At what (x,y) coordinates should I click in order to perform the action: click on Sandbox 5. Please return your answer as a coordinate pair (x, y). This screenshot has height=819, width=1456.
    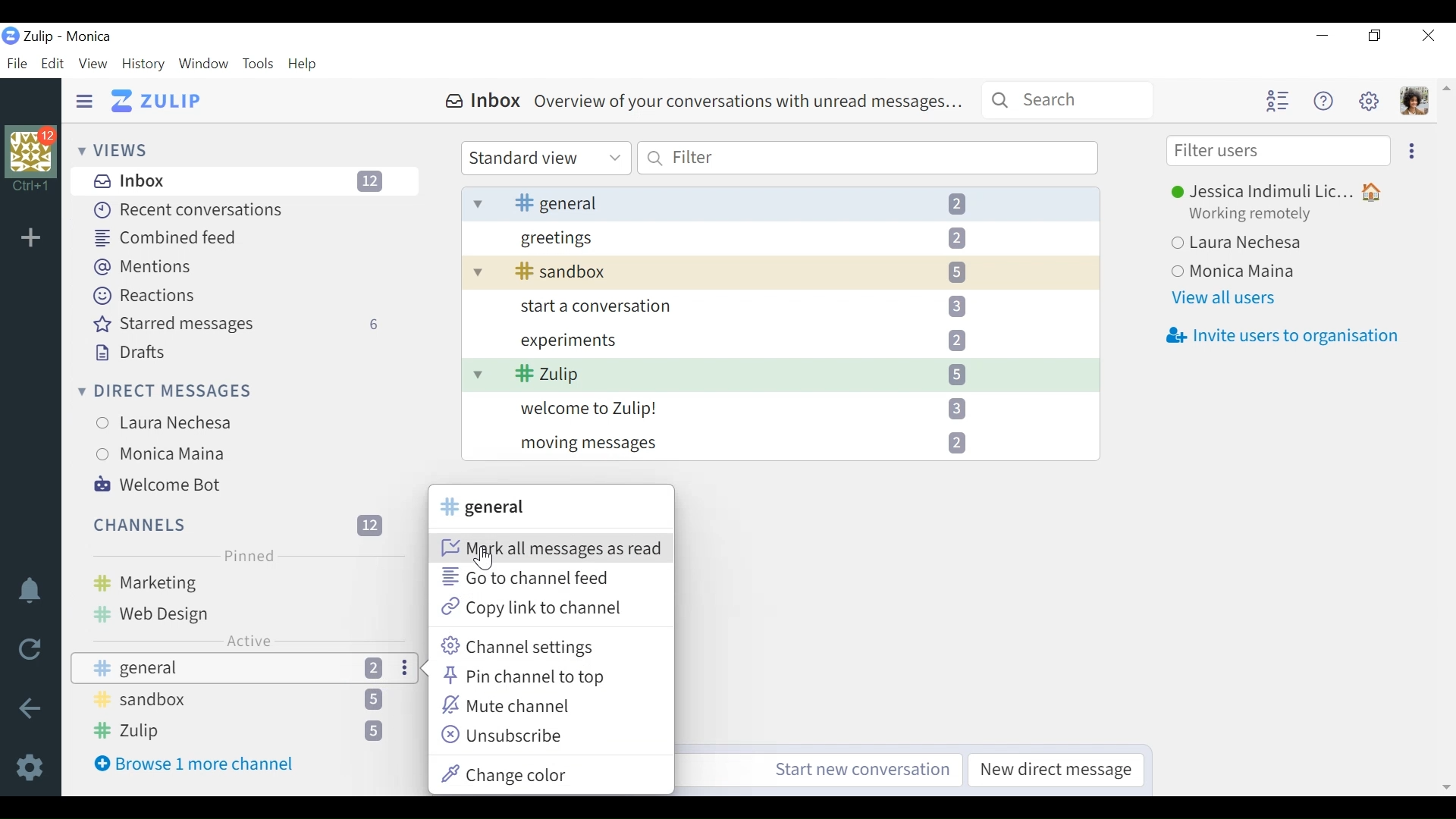
    Looking at the image, I should click on (242, 701).